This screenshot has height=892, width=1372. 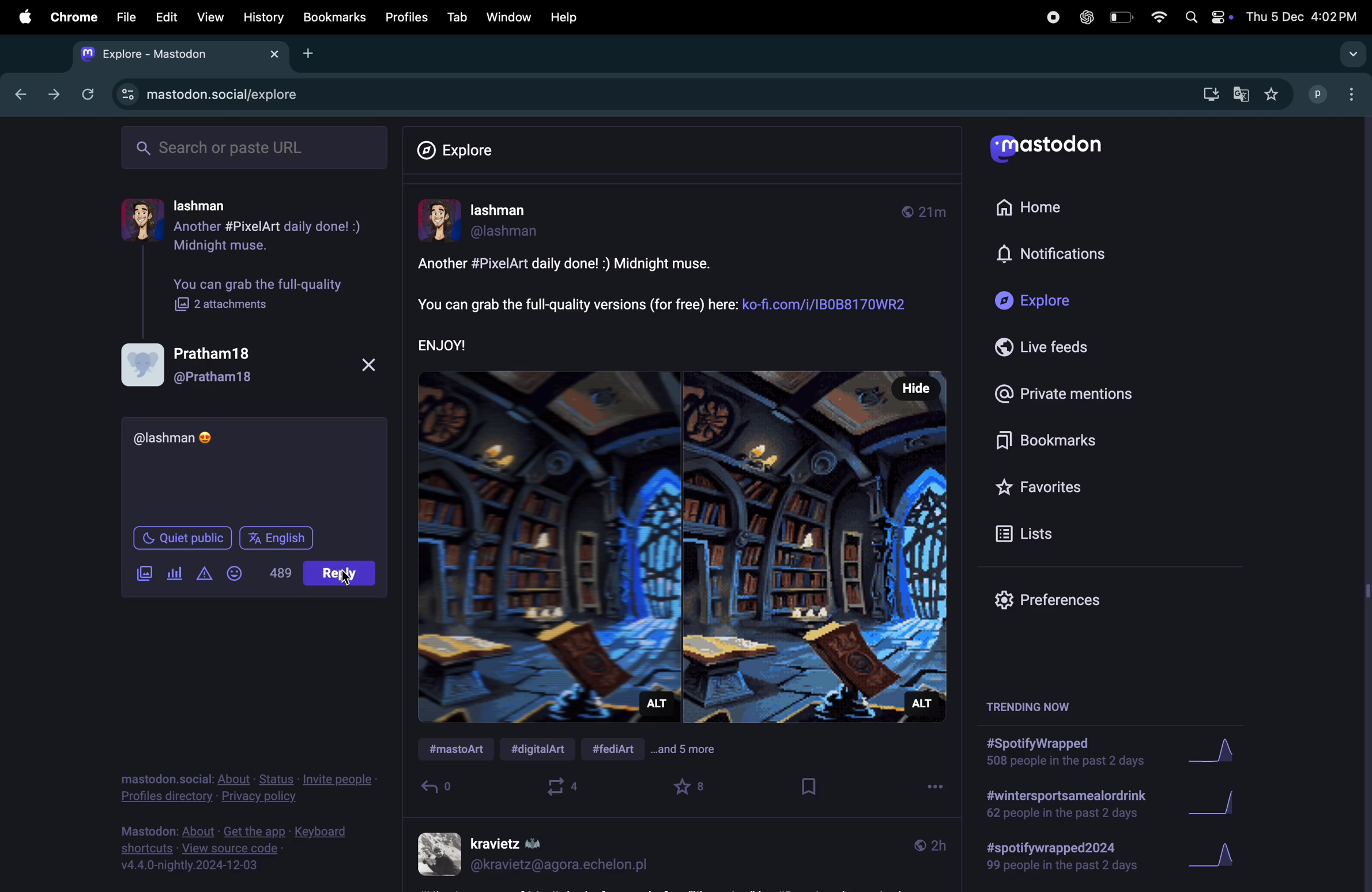 What do you see at coordinates (1351, 56) in the screenshot?
I see `drop down` at bounding box center [1351, 56].